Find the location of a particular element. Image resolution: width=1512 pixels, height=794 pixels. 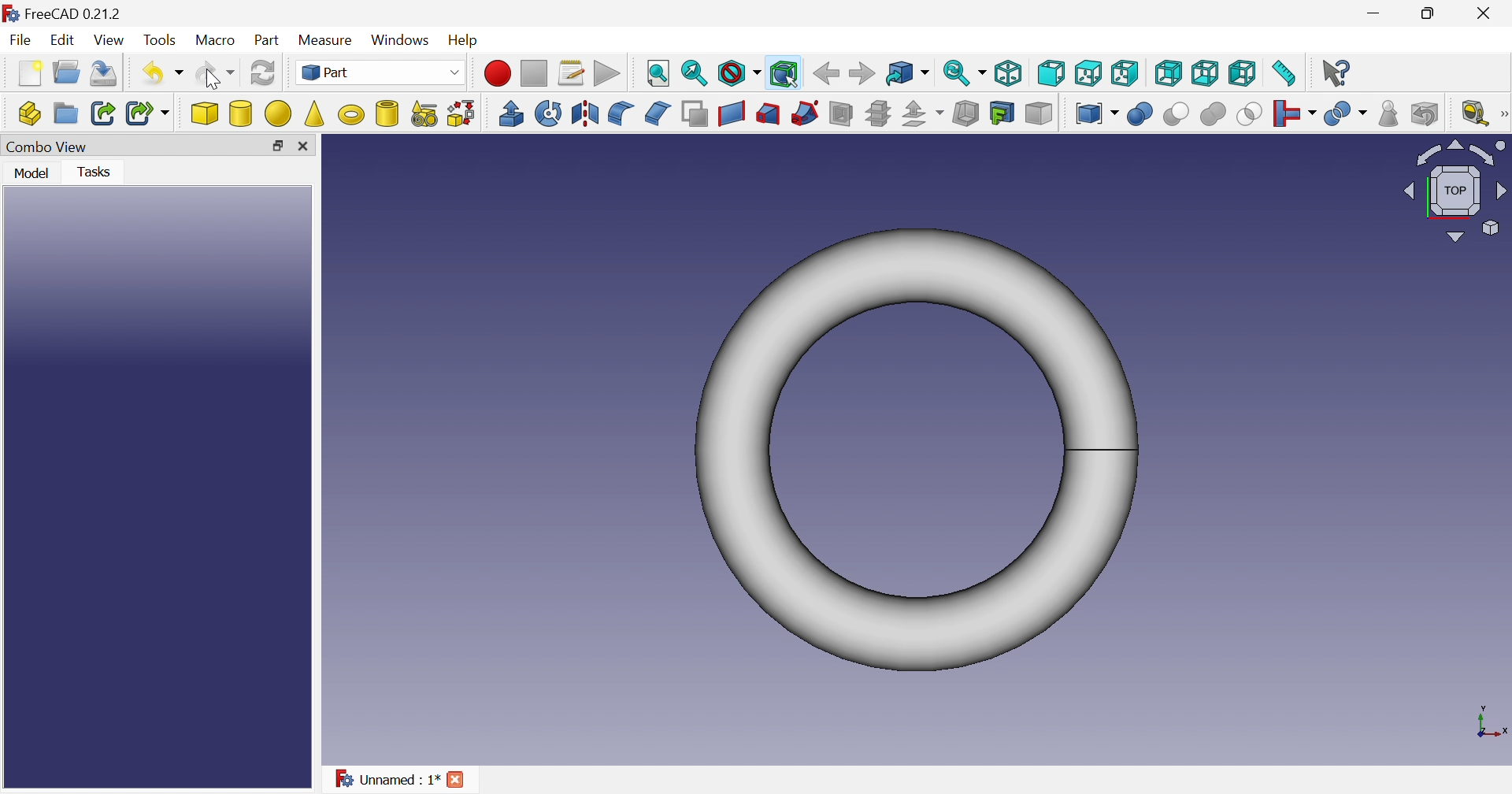

Compound tools is located at coordinates (1095, 113).